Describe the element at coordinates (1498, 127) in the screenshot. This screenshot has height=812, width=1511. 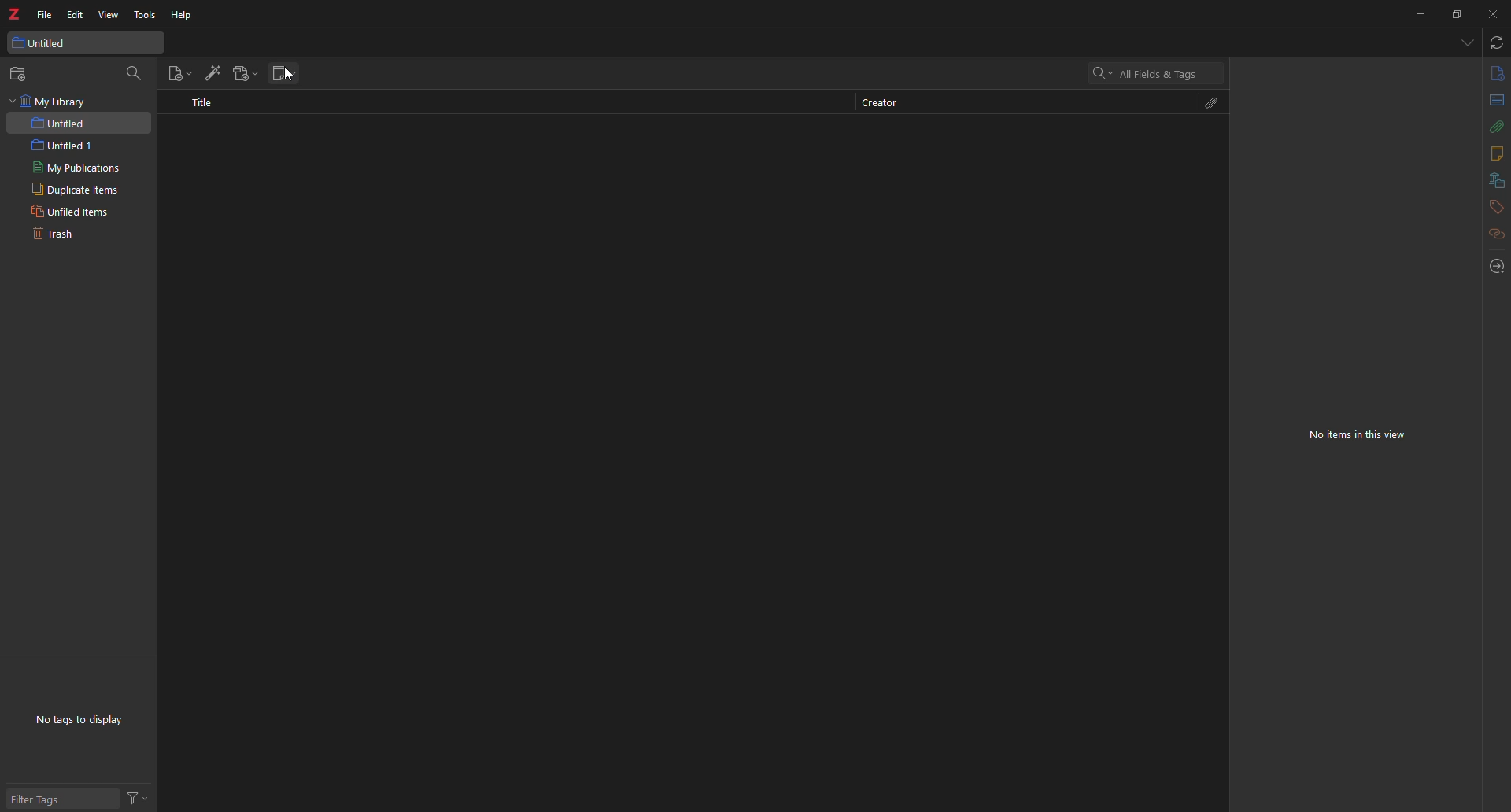
I see `attach` at that location.